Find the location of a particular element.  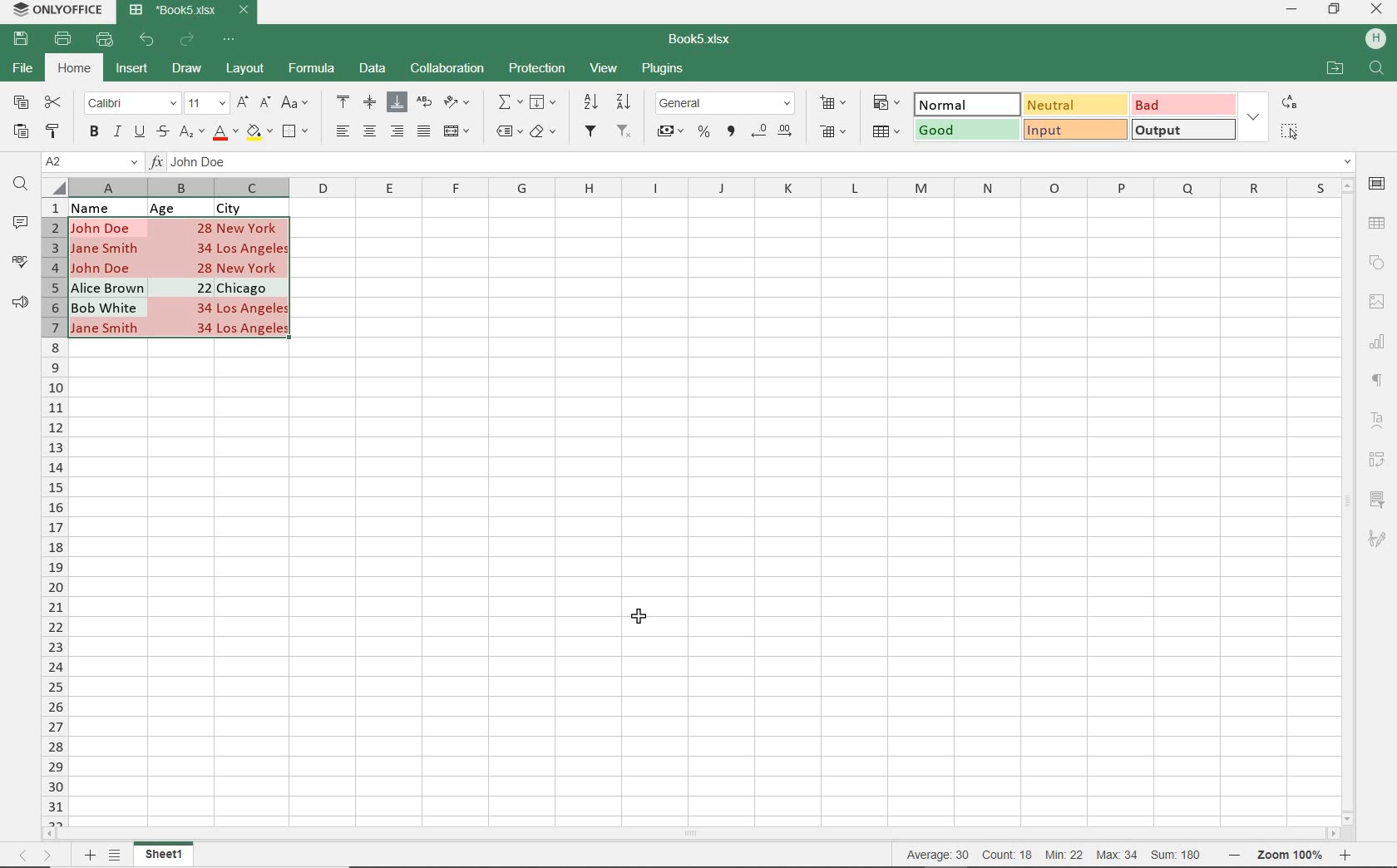

GOOD is located at coordinates (965, 131).